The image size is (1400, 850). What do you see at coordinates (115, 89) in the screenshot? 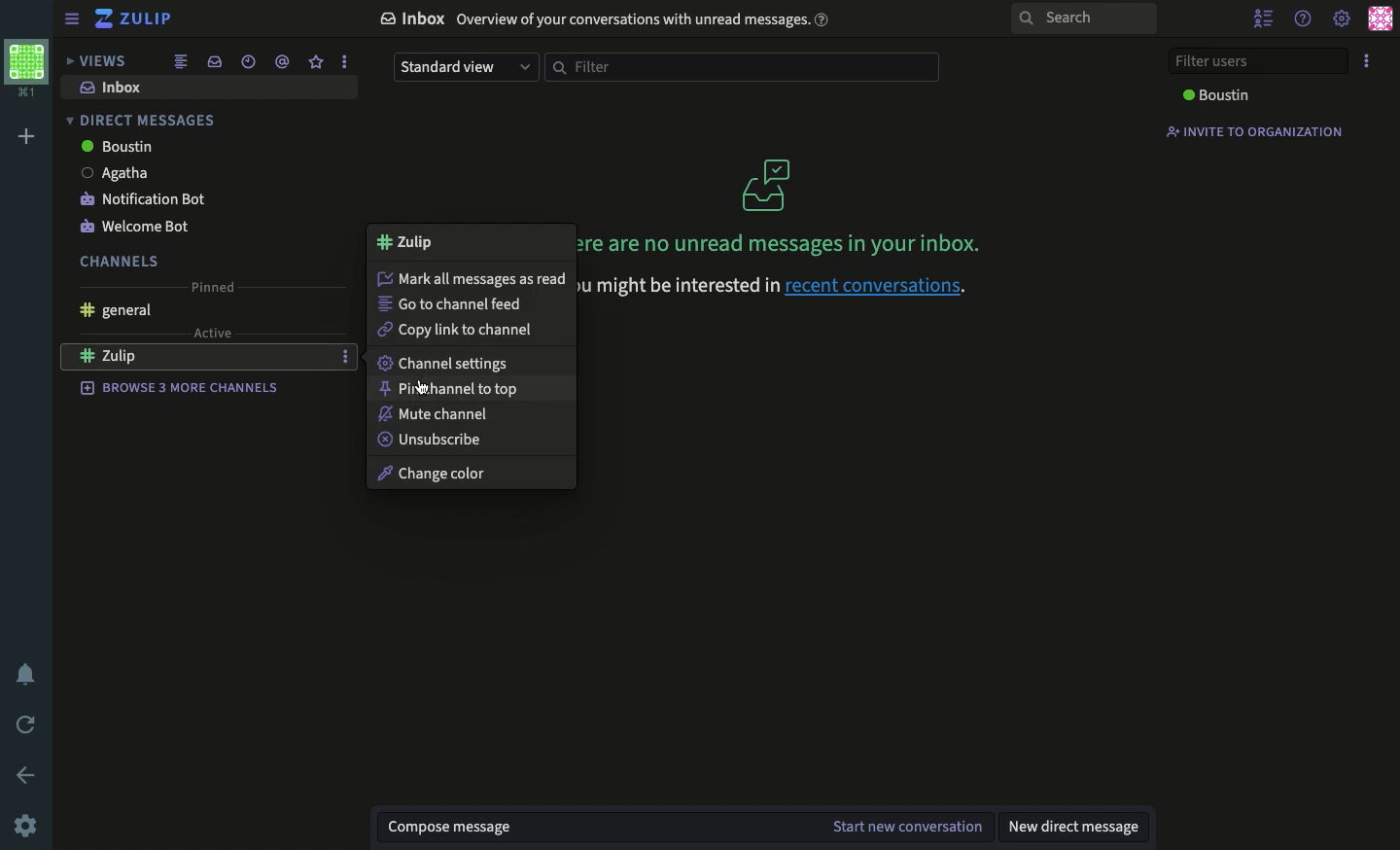
I see `inbox` at bounding box center [115, 89].